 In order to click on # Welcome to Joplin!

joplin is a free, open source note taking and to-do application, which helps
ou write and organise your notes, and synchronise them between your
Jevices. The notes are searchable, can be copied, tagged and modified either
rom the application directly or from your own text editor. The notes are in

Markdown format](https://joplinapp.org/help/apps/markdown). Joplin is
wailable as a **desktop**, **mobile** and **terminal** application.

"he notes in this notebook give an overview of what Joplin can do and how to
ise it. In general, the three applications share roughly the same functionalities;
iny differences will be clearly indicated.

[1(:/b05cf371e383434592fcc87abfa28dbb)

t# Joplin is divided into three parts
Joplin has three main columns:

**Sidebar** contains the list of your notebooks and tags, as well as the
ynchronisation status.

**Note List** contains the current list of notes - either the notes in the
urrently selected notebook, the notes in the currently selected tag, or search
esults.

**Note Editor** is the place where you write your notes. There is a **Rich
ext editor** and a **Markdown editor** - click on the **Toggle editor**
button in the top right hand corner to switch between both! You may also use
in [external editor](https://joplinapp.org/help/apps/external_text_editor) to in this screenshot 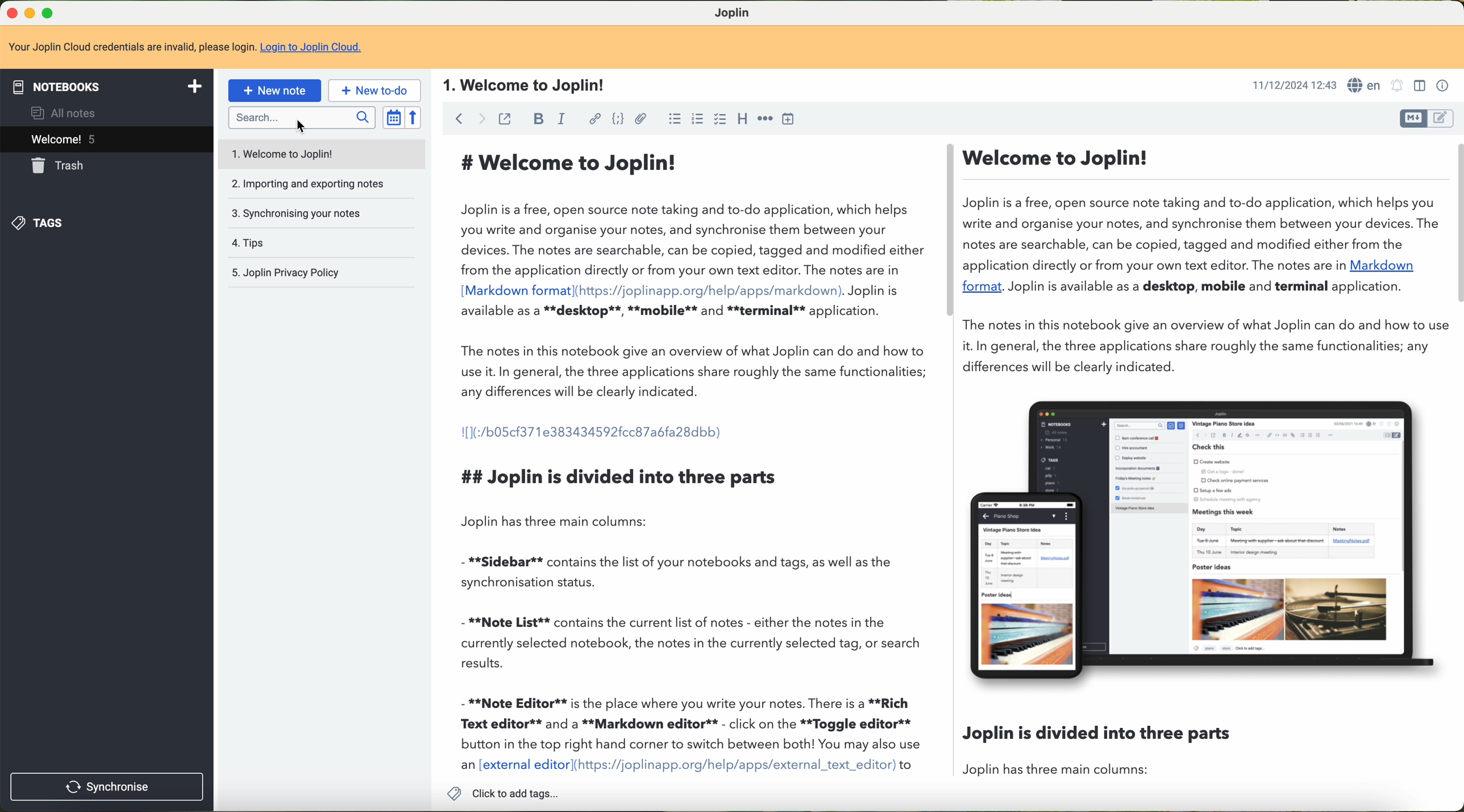, I will do `click(689, 457)`.